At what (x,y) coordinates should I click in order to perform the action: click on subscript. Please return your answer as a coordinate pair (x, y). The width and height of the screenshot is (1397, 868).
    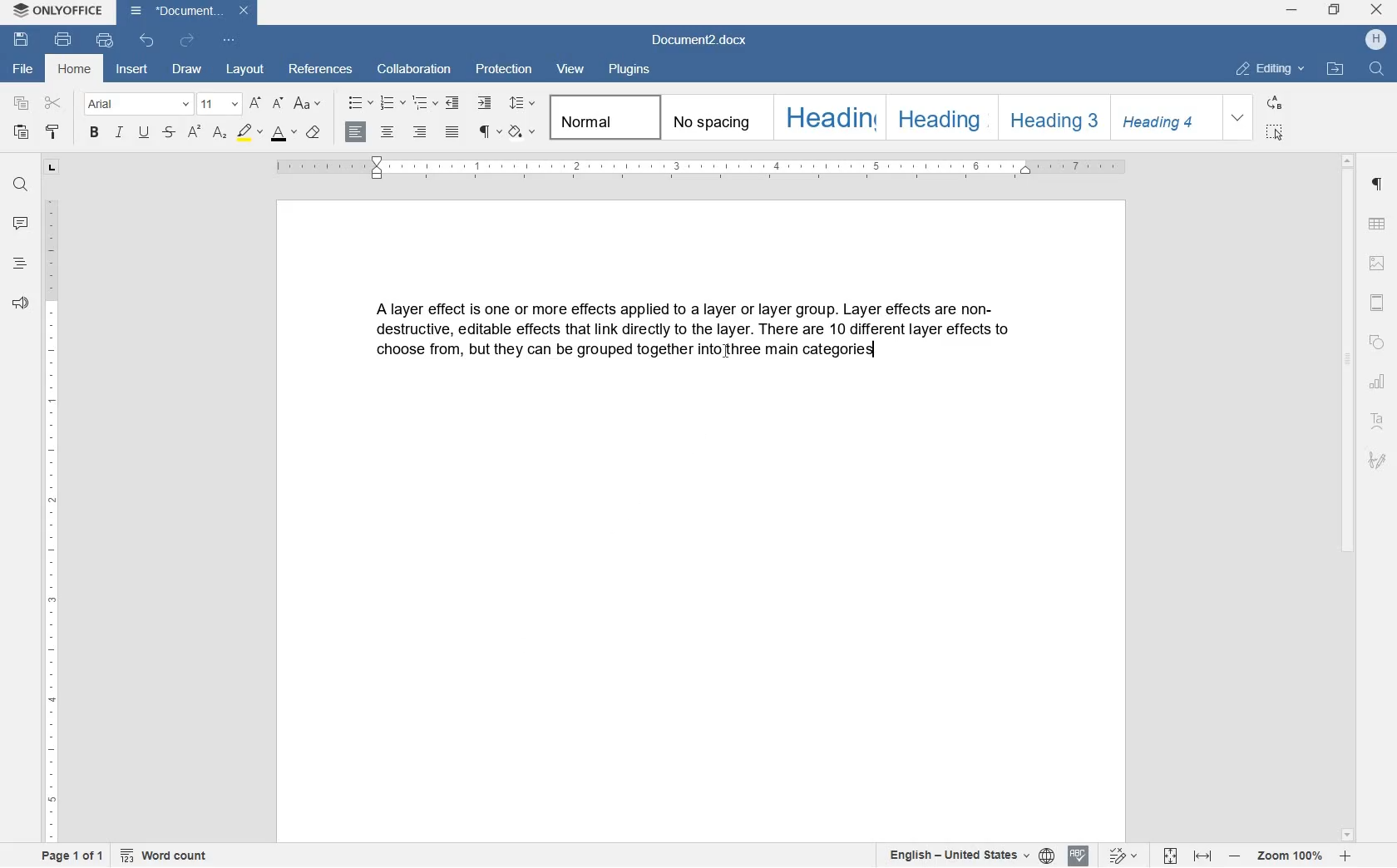
    Looking at the image, I should click on (221, 133).